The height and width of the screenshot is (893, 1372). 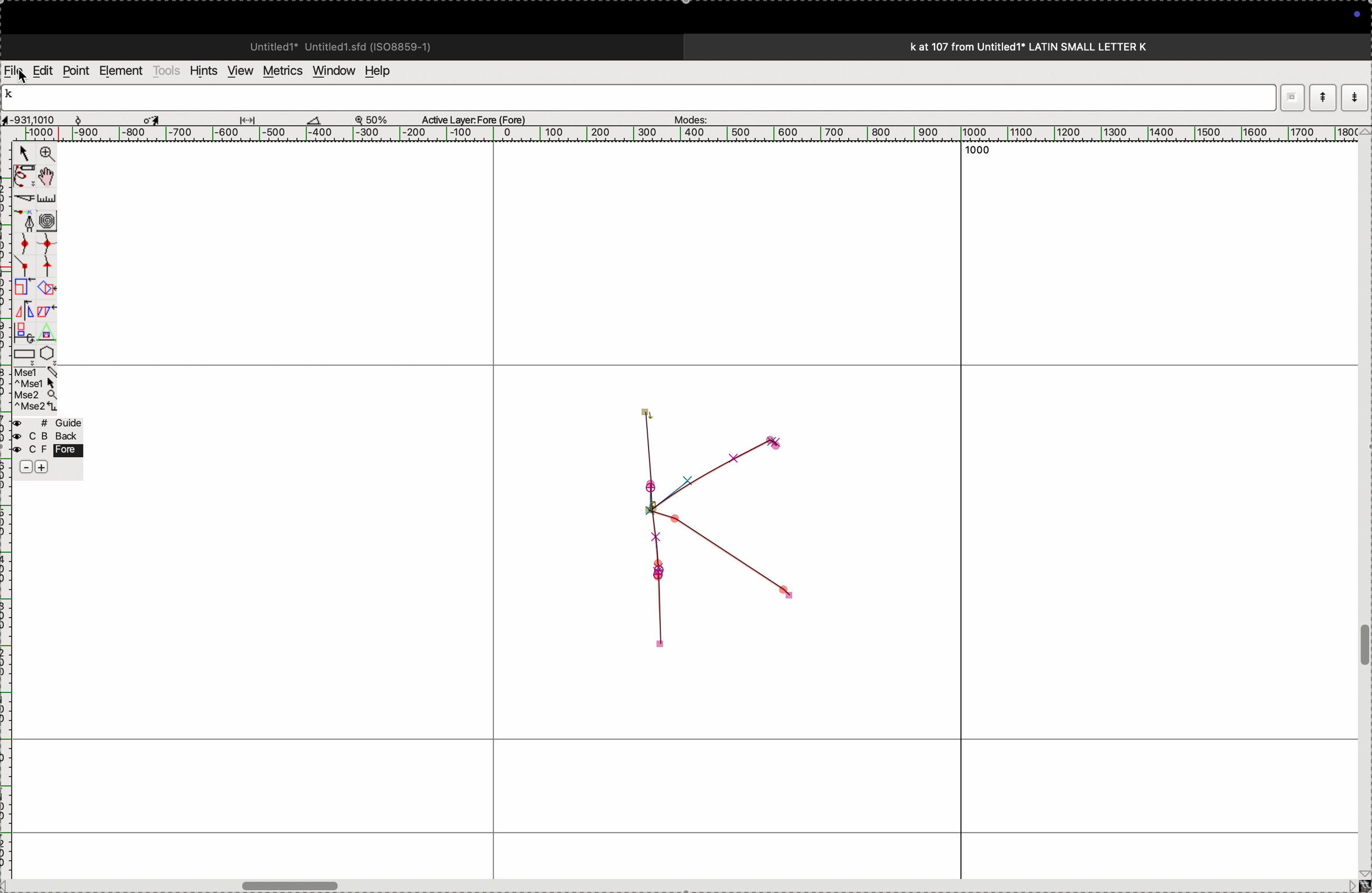 What do you see at coordinates (47, 319) in the screenshot?
I see `apply` at bounding box center [47, 319].